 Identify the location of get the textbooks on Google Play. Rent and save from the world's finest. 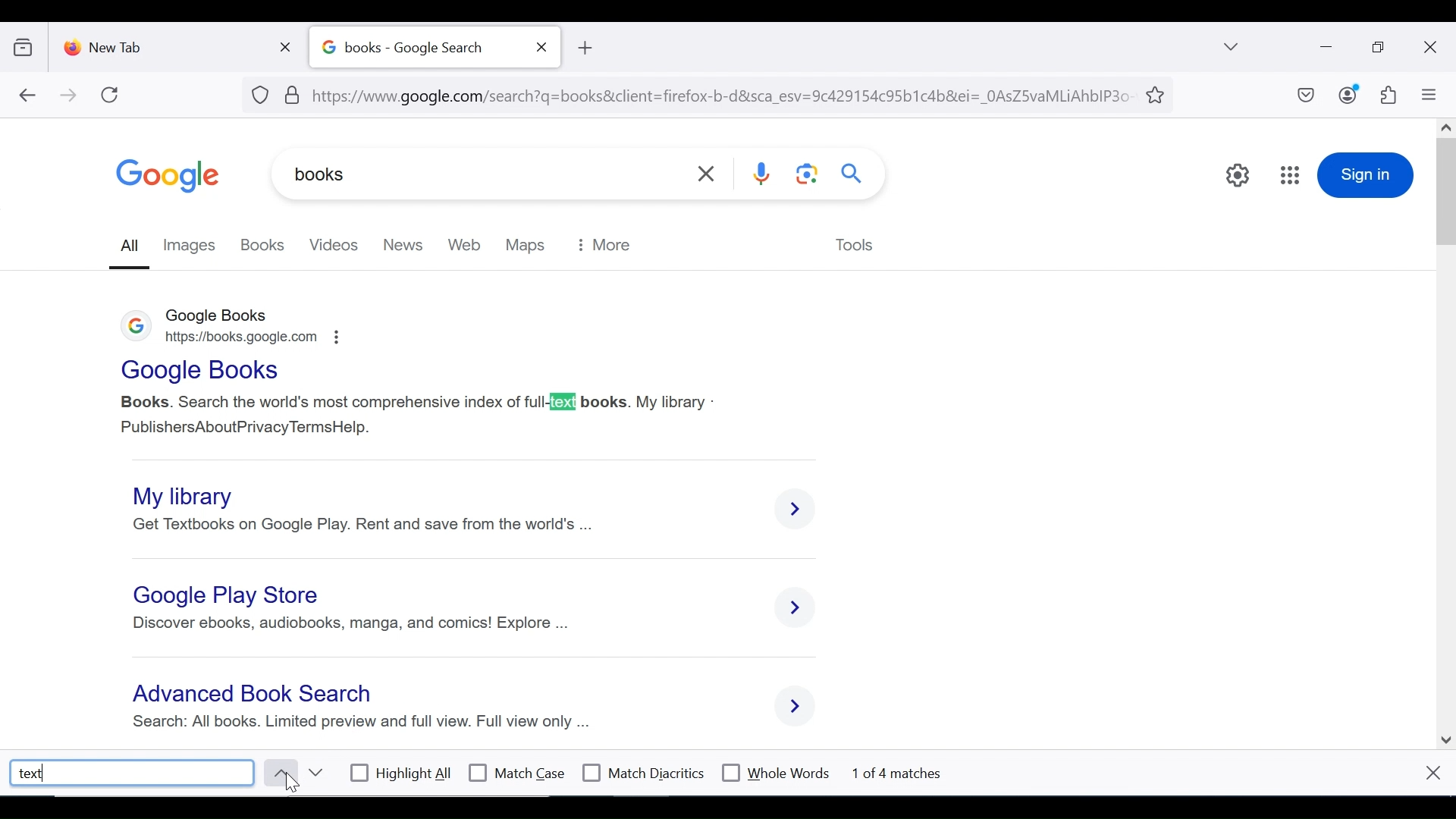
(369, 525).